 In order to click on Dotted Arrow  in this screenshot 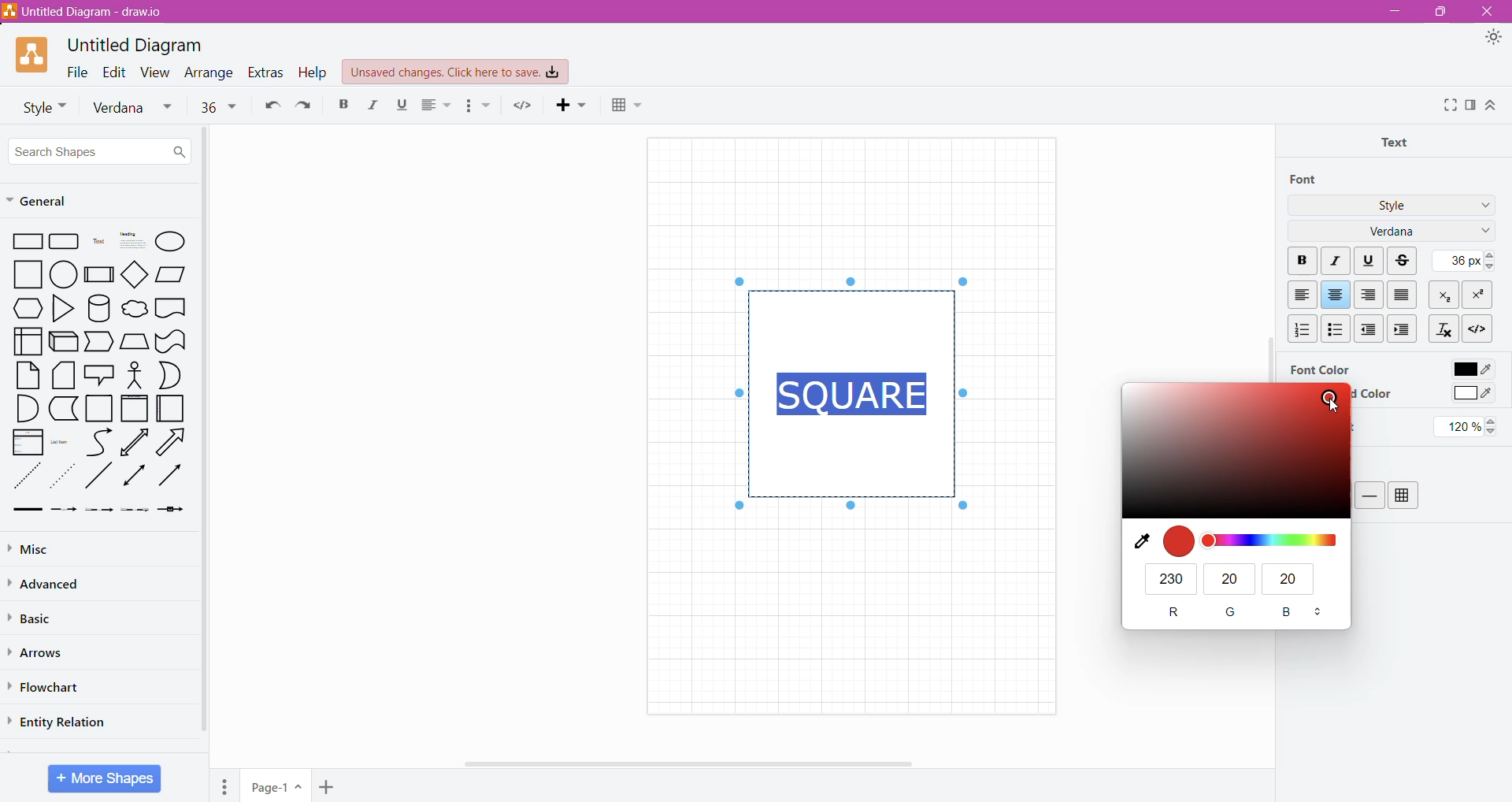, I will do `click(62, 477)`.